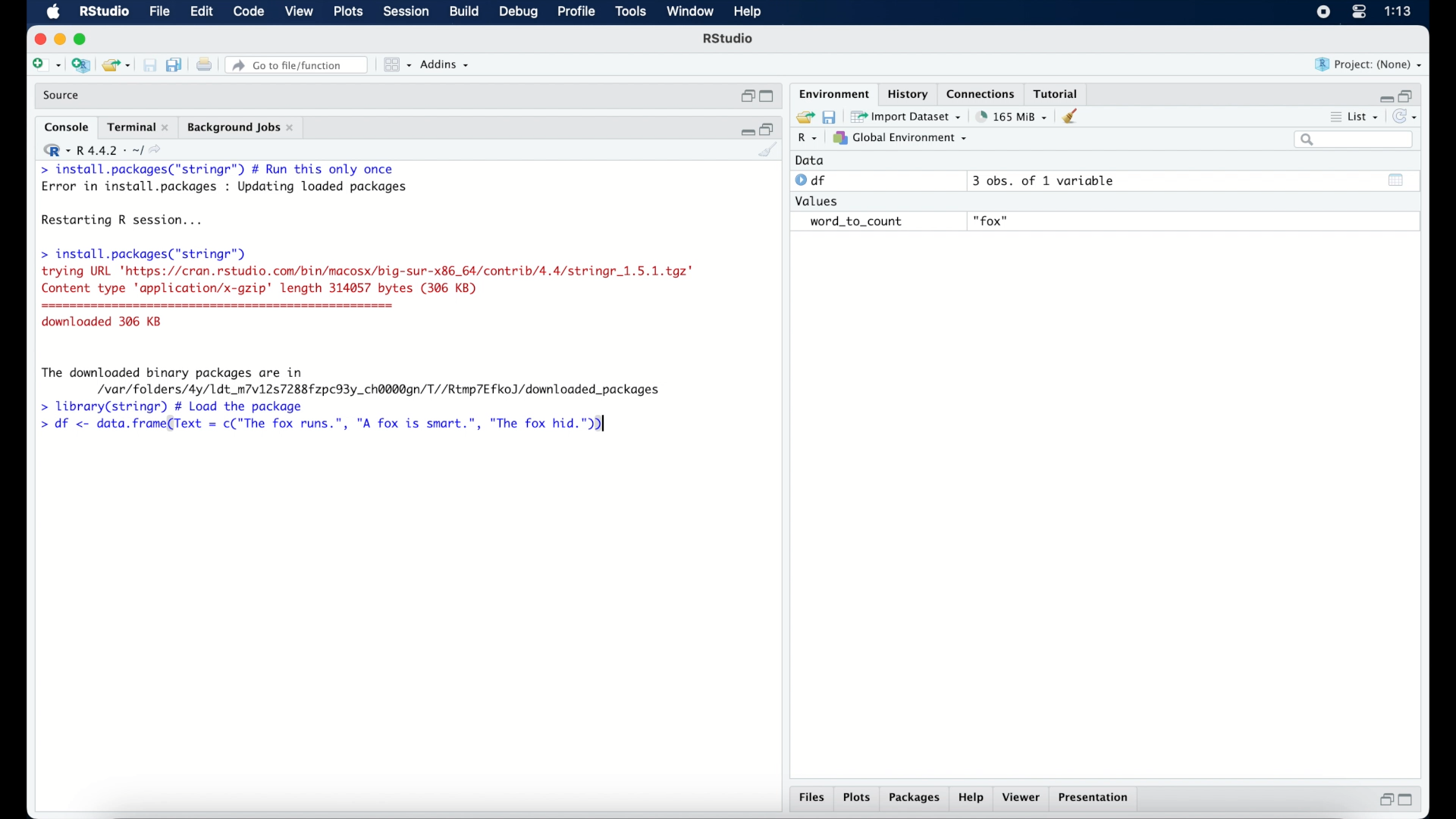 Image resolution: width=1456 pixels, height=819 pixels. What do you see at coordinates (1056, 92) in the screenshot?
I see `tutorial` at bounding box center [1056, 92].